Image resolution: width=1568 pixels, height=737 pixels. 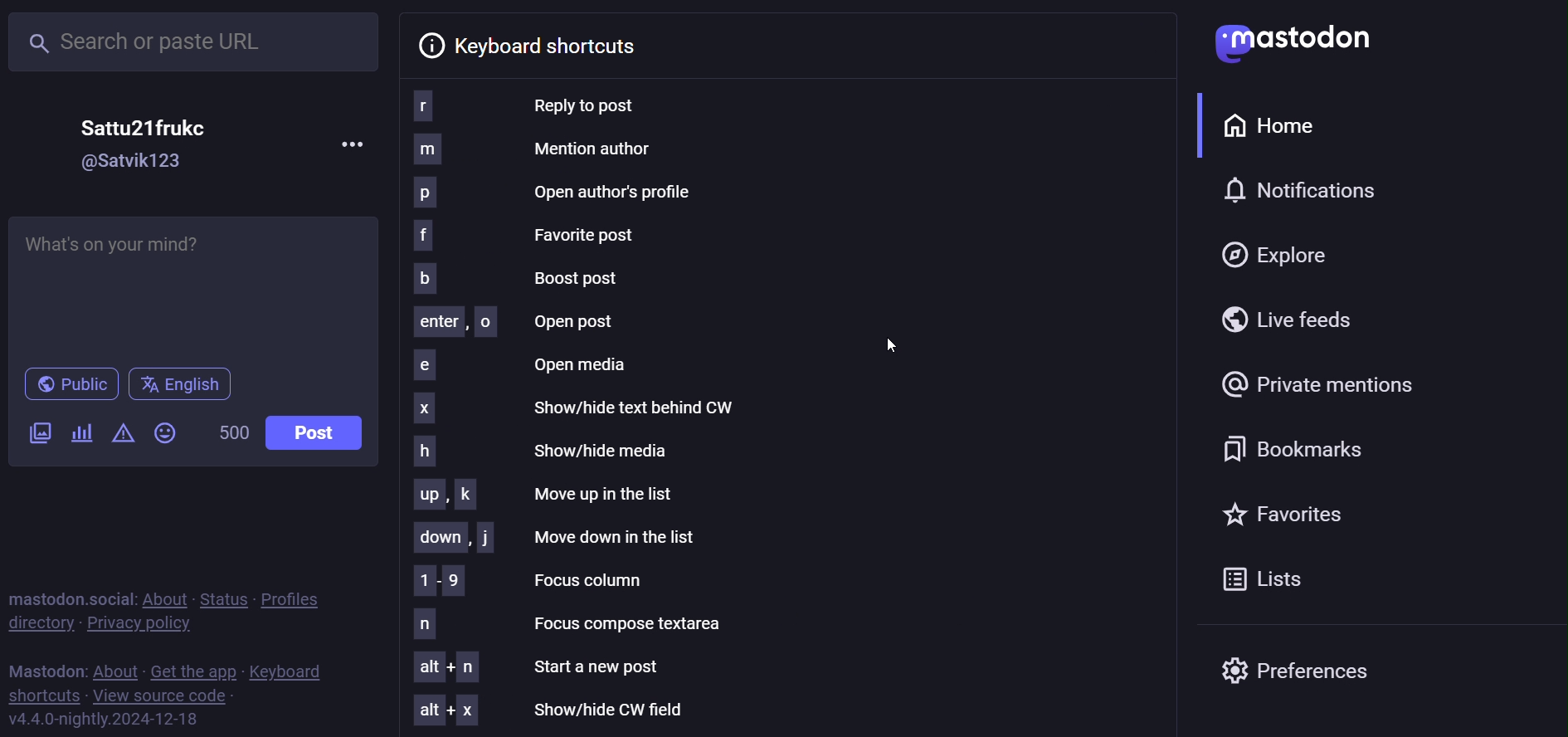 I want to click on poll, so click(x=81, y=431).